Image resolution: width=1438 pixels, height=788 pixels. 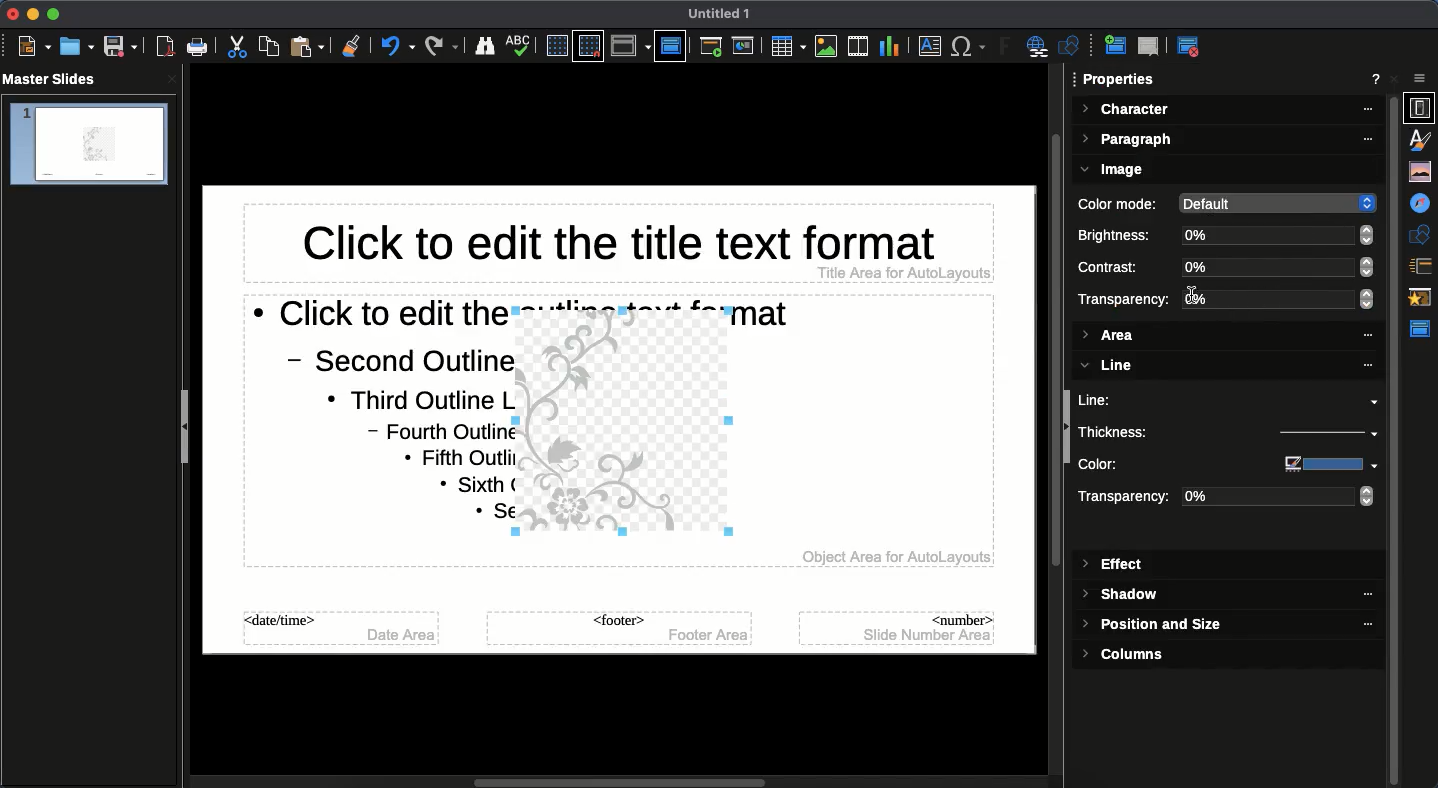 I want to click on Columns, so click(x=1131, y=654).